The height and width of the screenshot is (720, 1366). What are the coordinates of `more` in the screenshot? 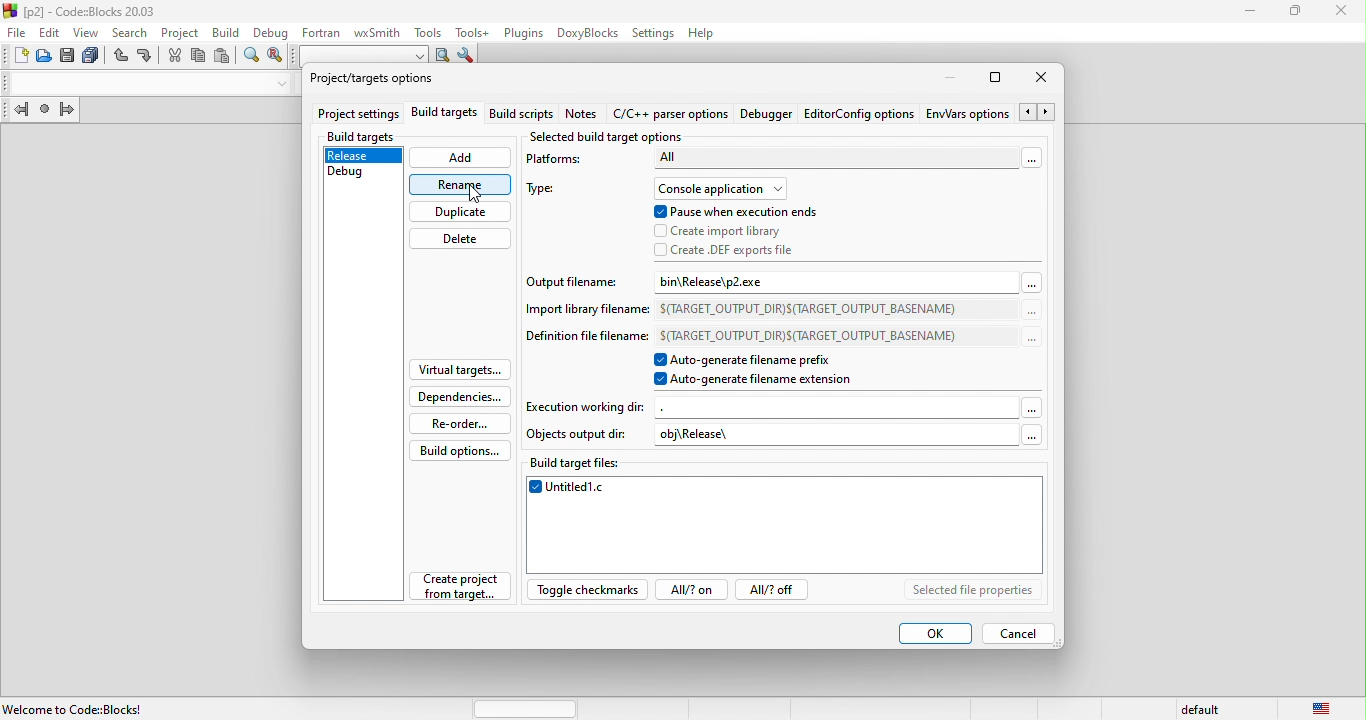 It's located at (1031, 312).